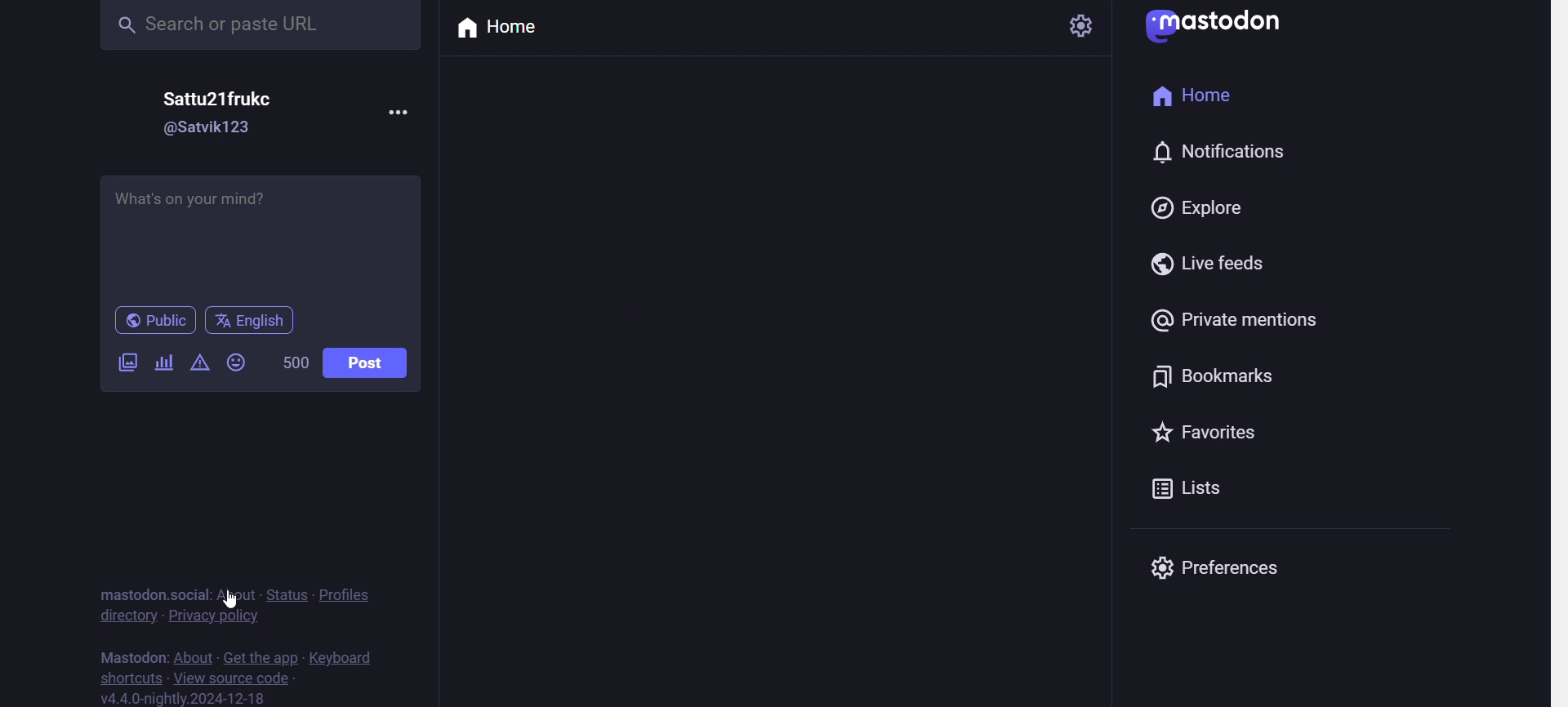 This screenshot has height=707, width=1568. What do you see at coordinates (238, 676) in the screenshot?
I see `source code` at bounding box center [238, 676].